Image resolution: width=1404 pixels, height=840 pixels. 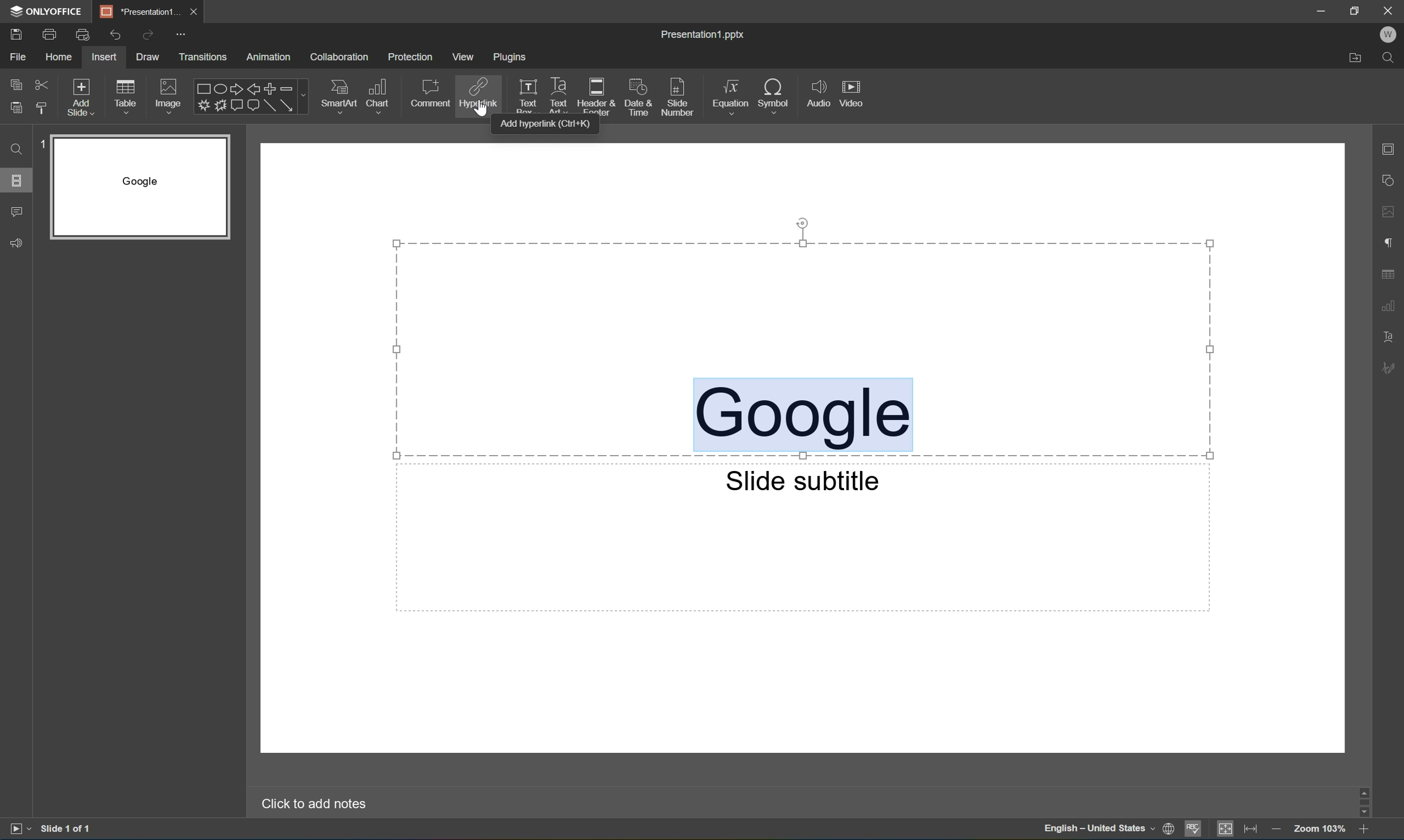 What do you see at coordinates (15, 35) in the screenshot?
I see `Save` at bounding box center [15, 35].